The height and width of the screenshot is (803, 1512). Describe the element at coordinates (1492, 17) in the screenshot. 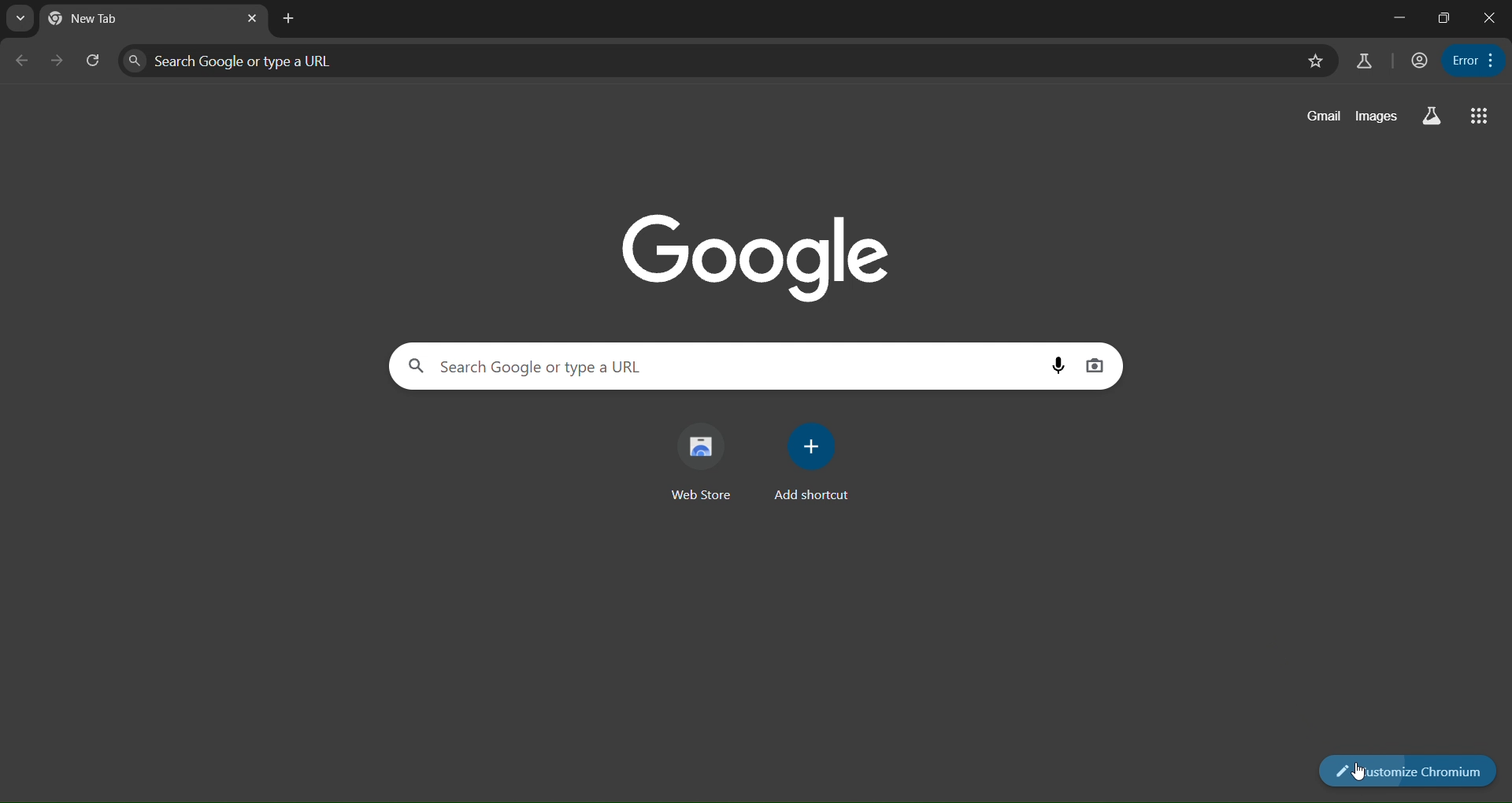

I see `close` at that location.